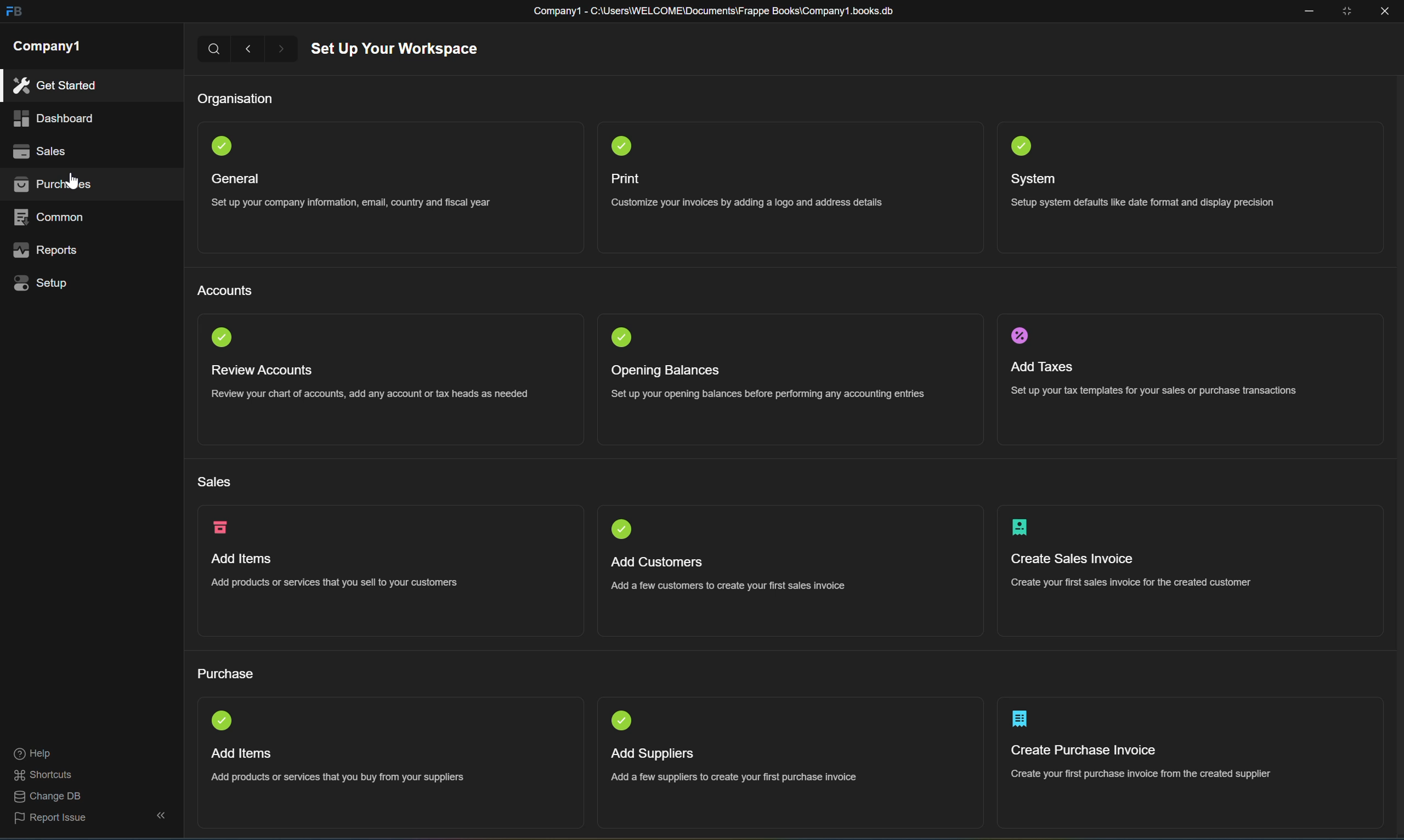 This screenshot has width=1404, height=840. Describe the element at coordinates (1350, 11) in the screenshot. I see `restore down` at that location.